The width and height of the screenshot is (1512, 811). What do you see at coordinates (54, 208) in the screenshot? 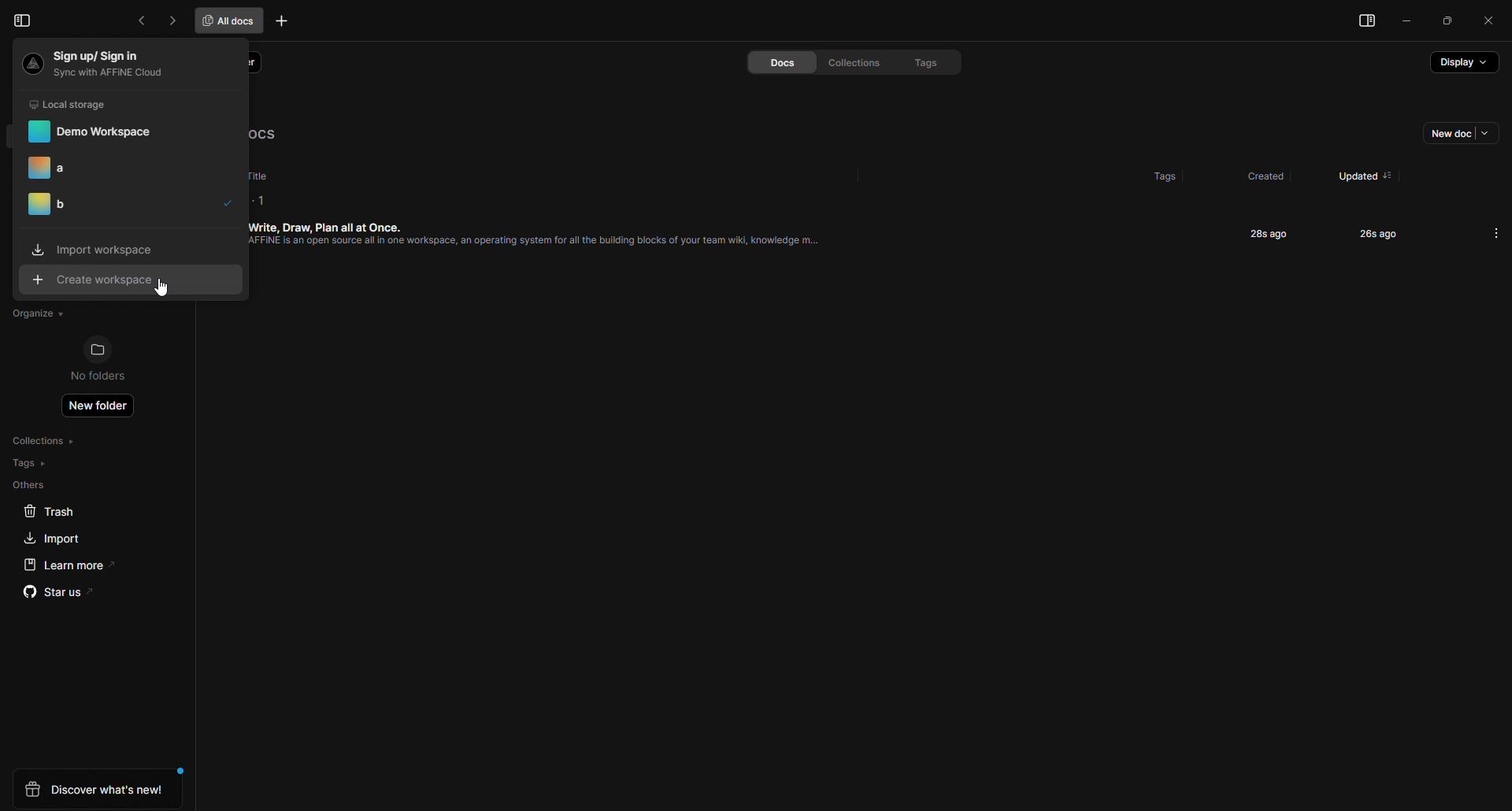
I see `b` at bounding box center [54, 208].